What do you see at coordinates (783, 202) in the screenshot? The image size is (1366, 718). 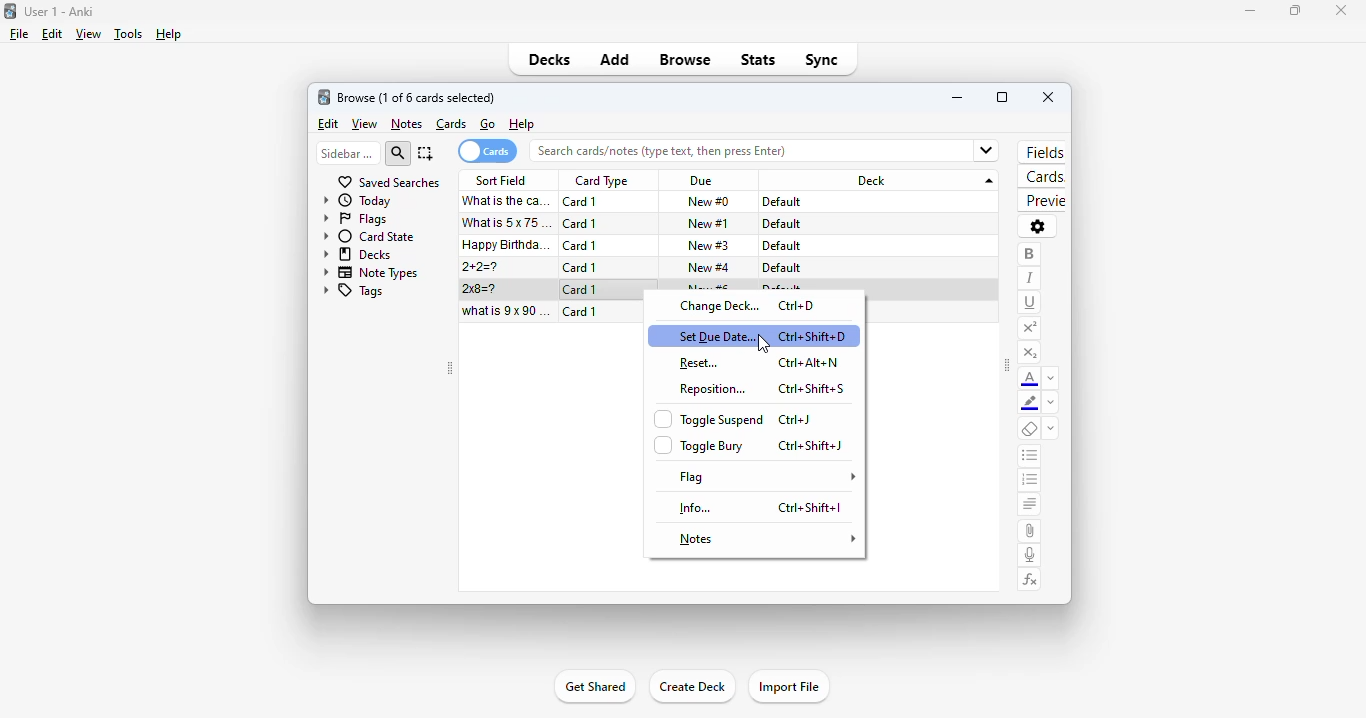 I see `default` at bounding box center [783, 202].